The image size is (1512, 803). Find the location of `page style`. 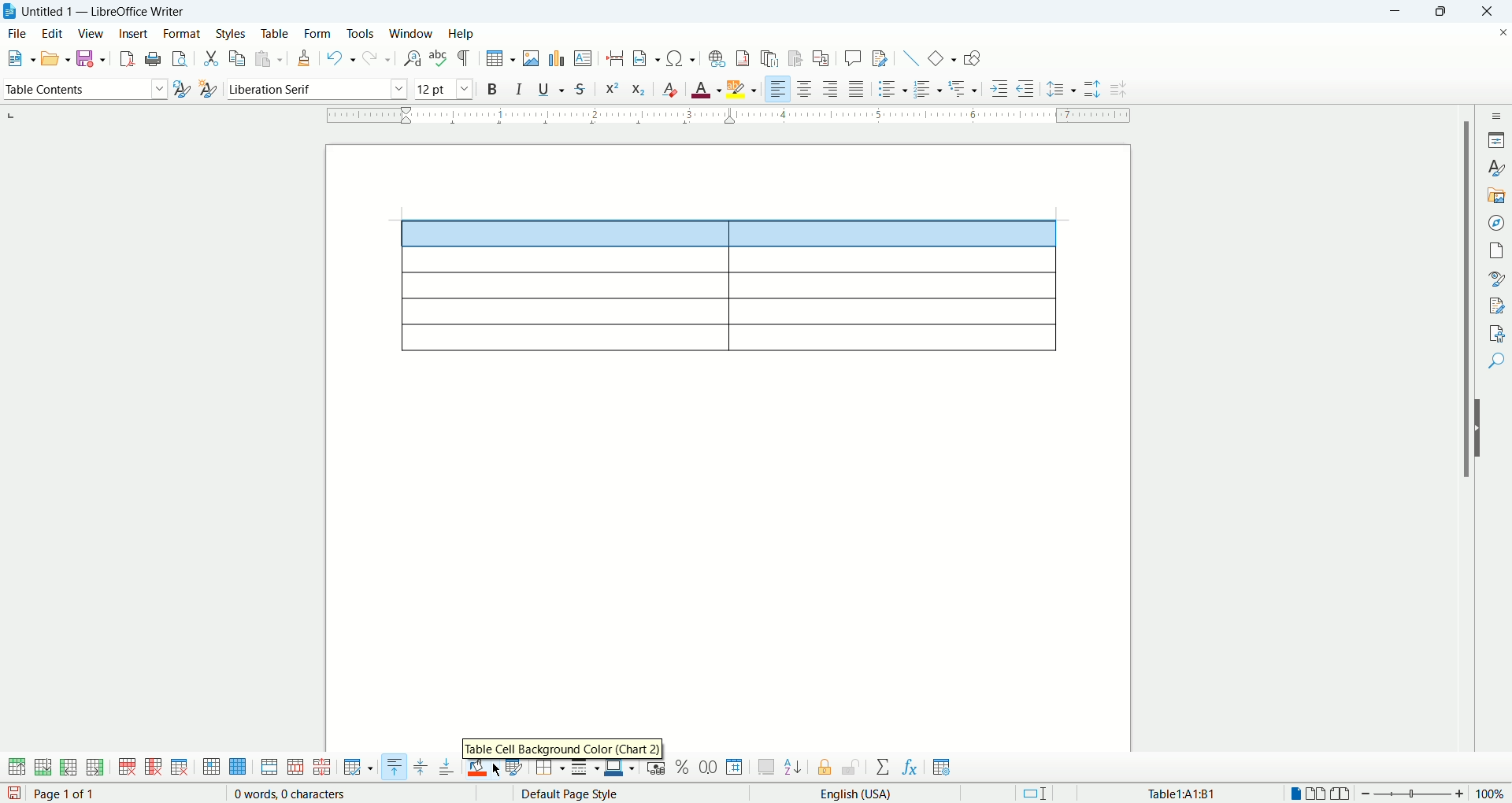

page style is located at coordinates (611, 794).